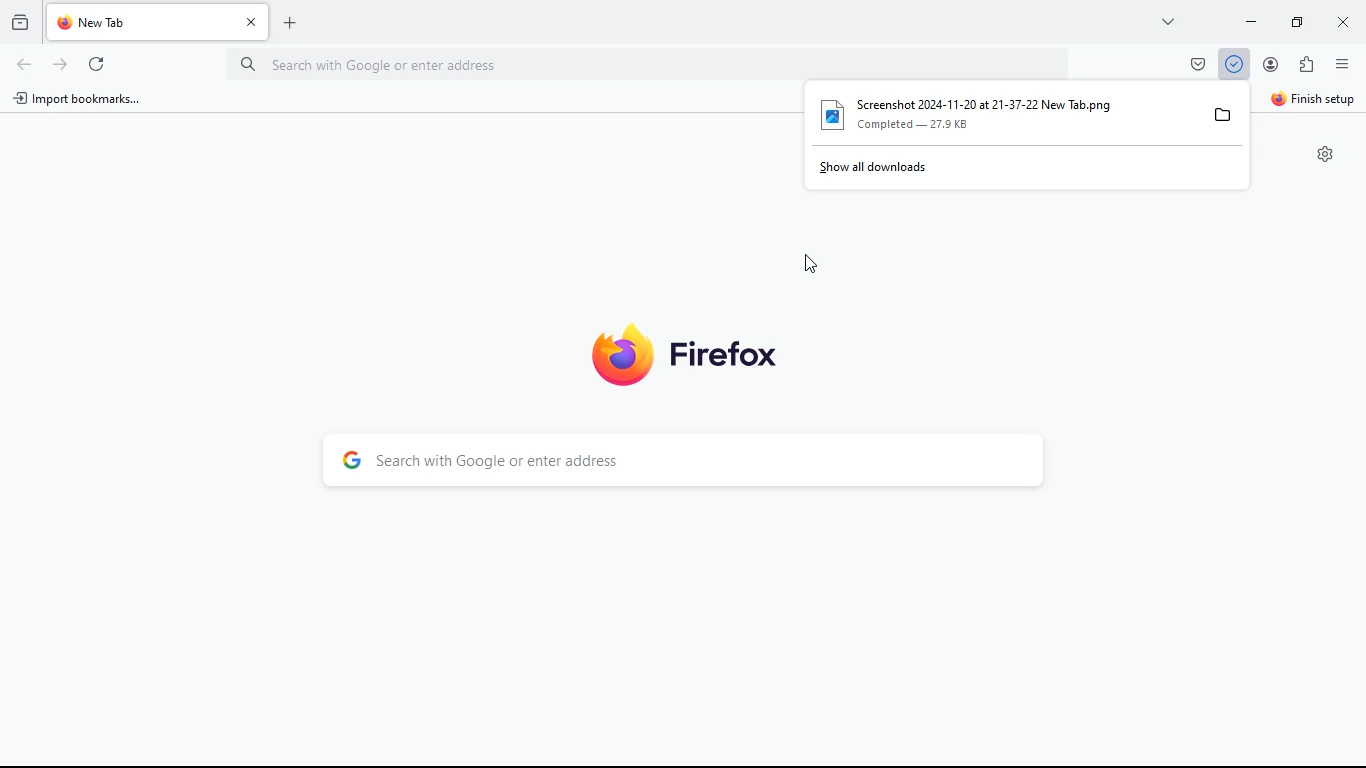 This screenshot has height=768, width=1366. What do you see at coordinates (1234, 66) in the screenshot?
I see `Download` at bounding box center [1234, 66].